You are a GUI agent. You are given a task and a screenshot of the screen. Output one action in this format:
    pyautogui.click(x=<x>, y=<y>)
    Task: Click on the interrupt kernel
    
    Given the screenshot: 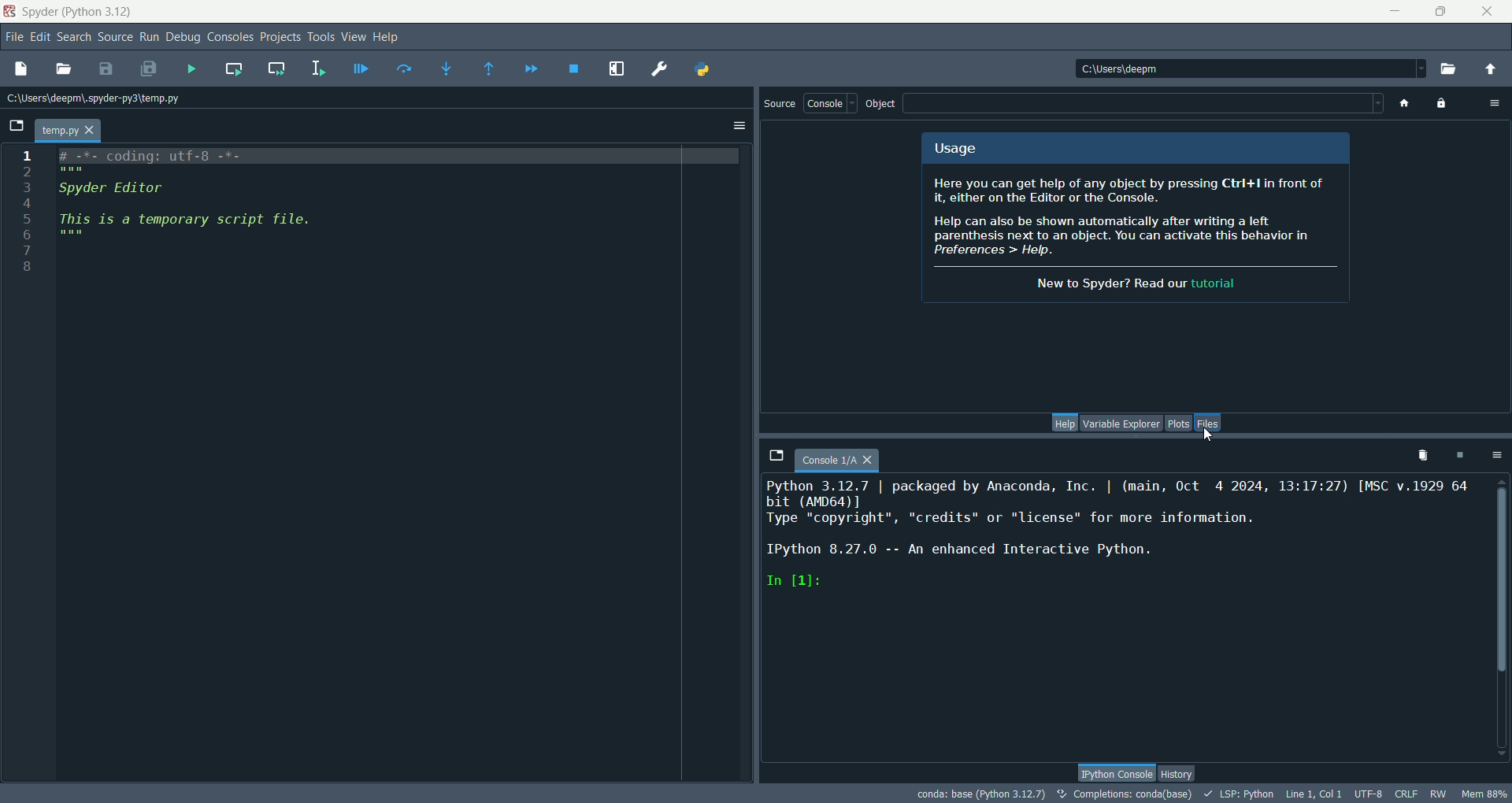 What is the action you would take?
    pyautogui.click(x=1462, y=454)
    